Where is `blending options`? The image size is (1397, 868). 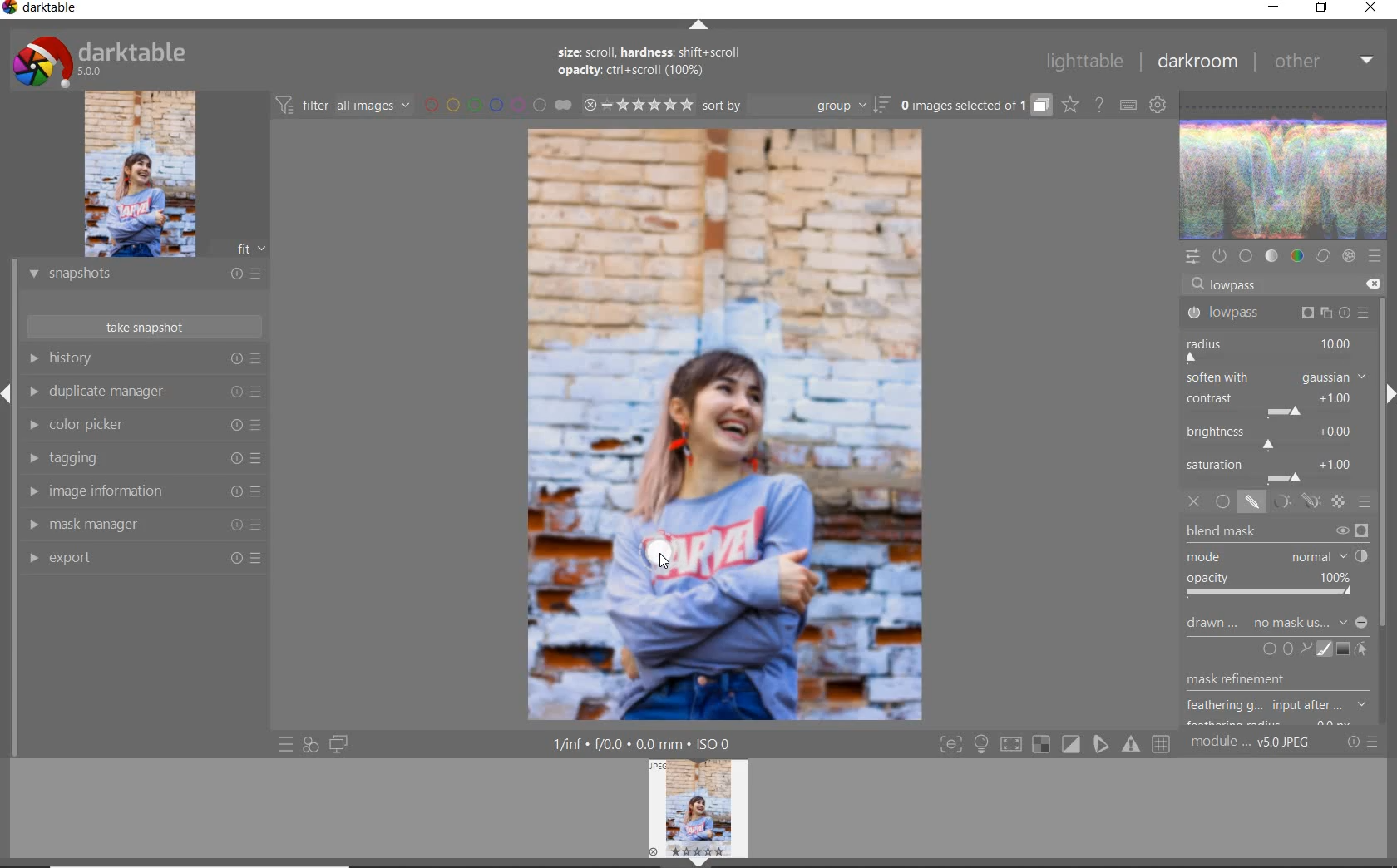 blending options is located at coordinates (1365, 501).